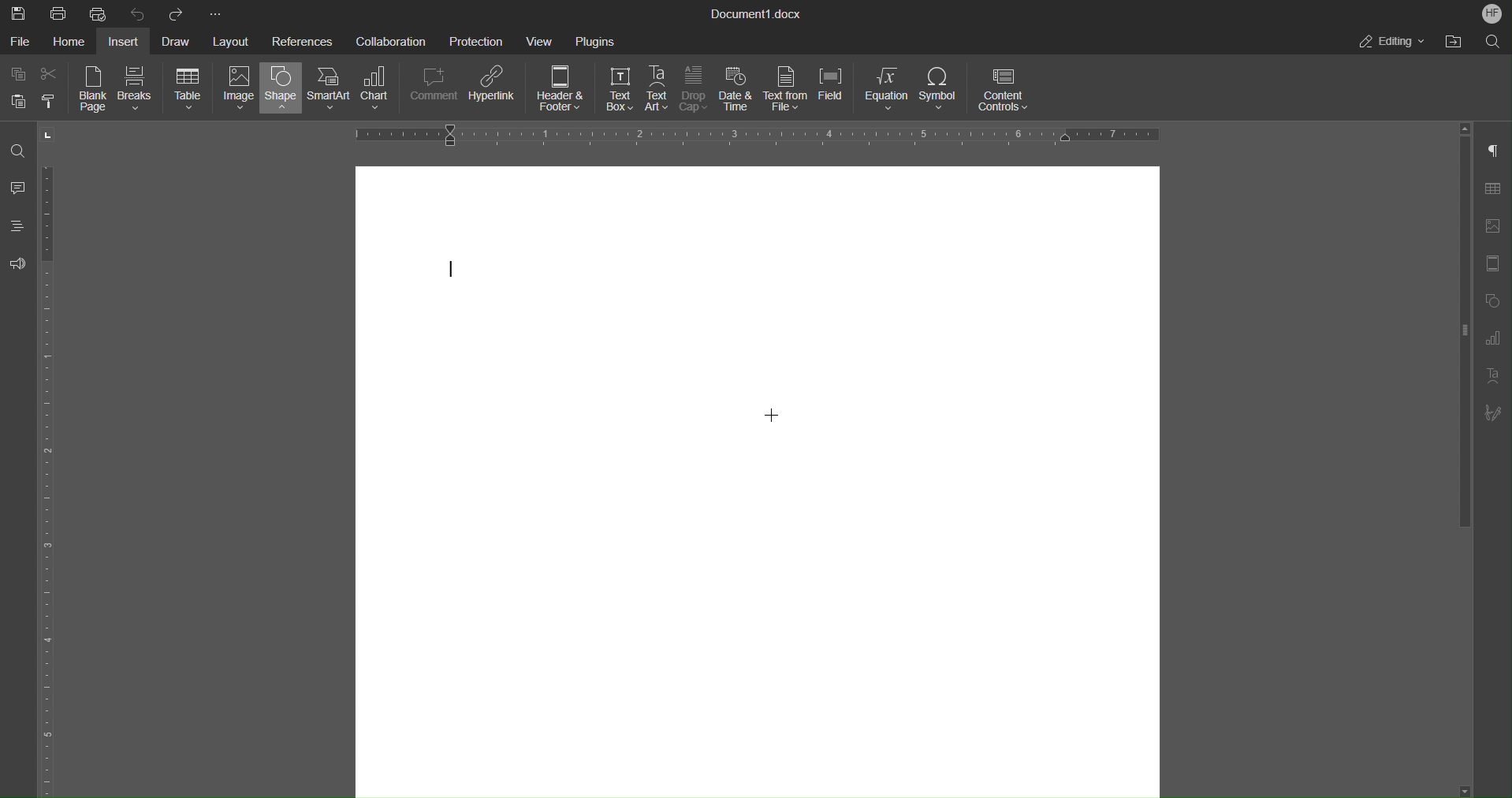 Image resolution: width=1512 pixels, height=798 pixels. I want to click on Blank Page, so click(95, 91).